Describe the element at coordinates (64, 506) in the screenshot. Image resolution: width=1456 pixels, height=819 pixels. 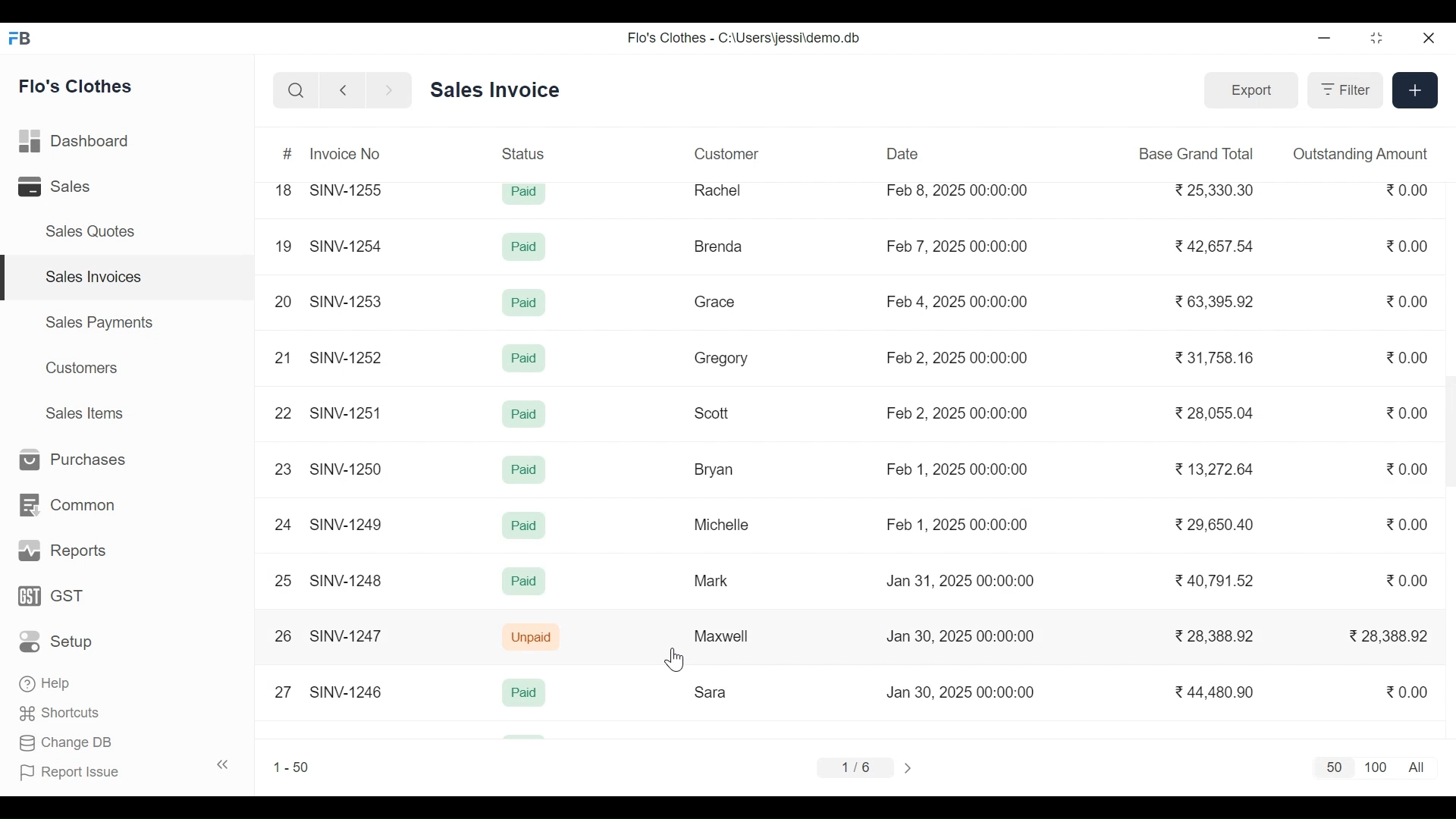
I see `Common` at that location.